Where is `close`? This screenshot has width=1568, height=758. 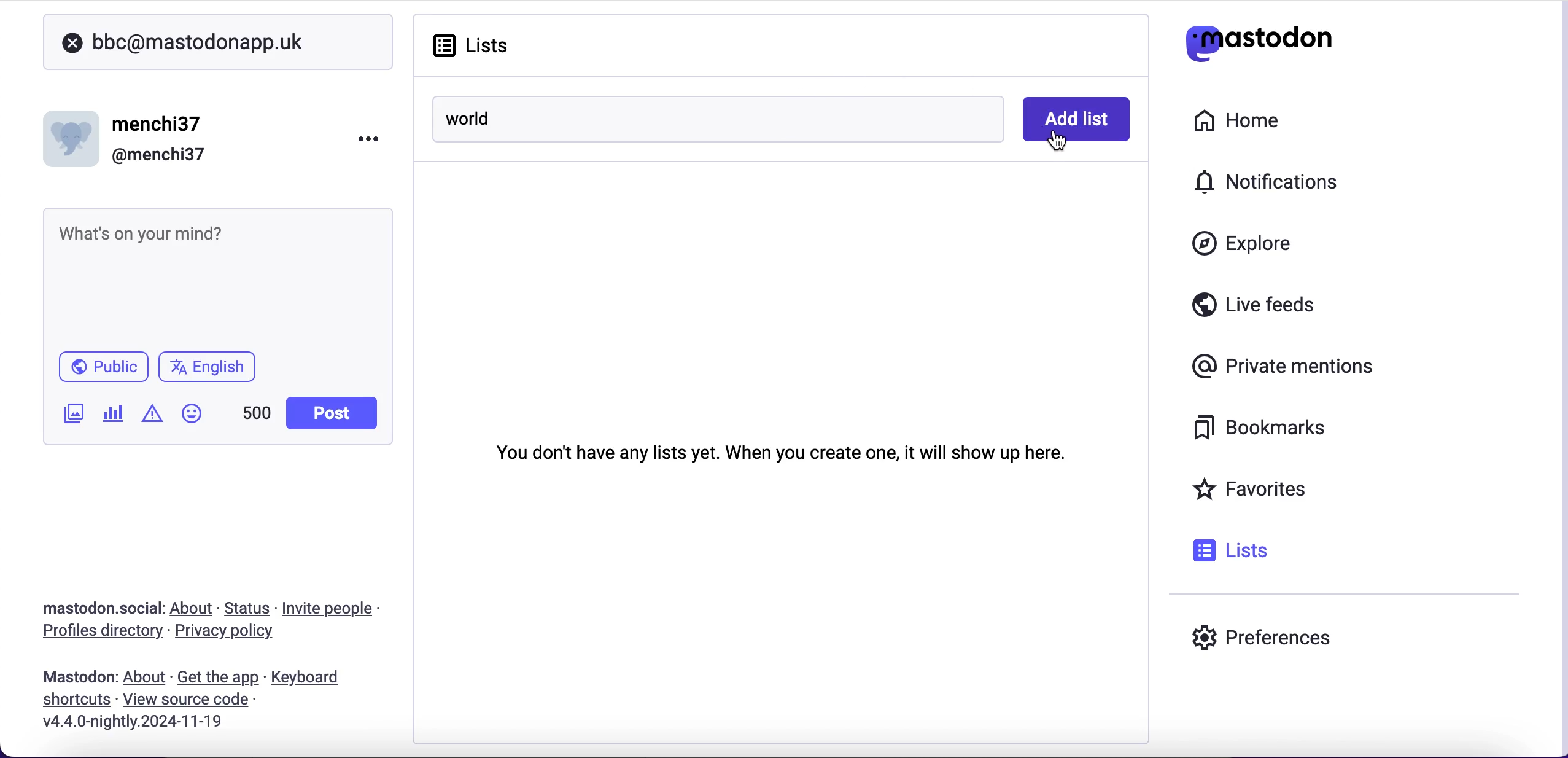
close is located at coordinates (72, 44).